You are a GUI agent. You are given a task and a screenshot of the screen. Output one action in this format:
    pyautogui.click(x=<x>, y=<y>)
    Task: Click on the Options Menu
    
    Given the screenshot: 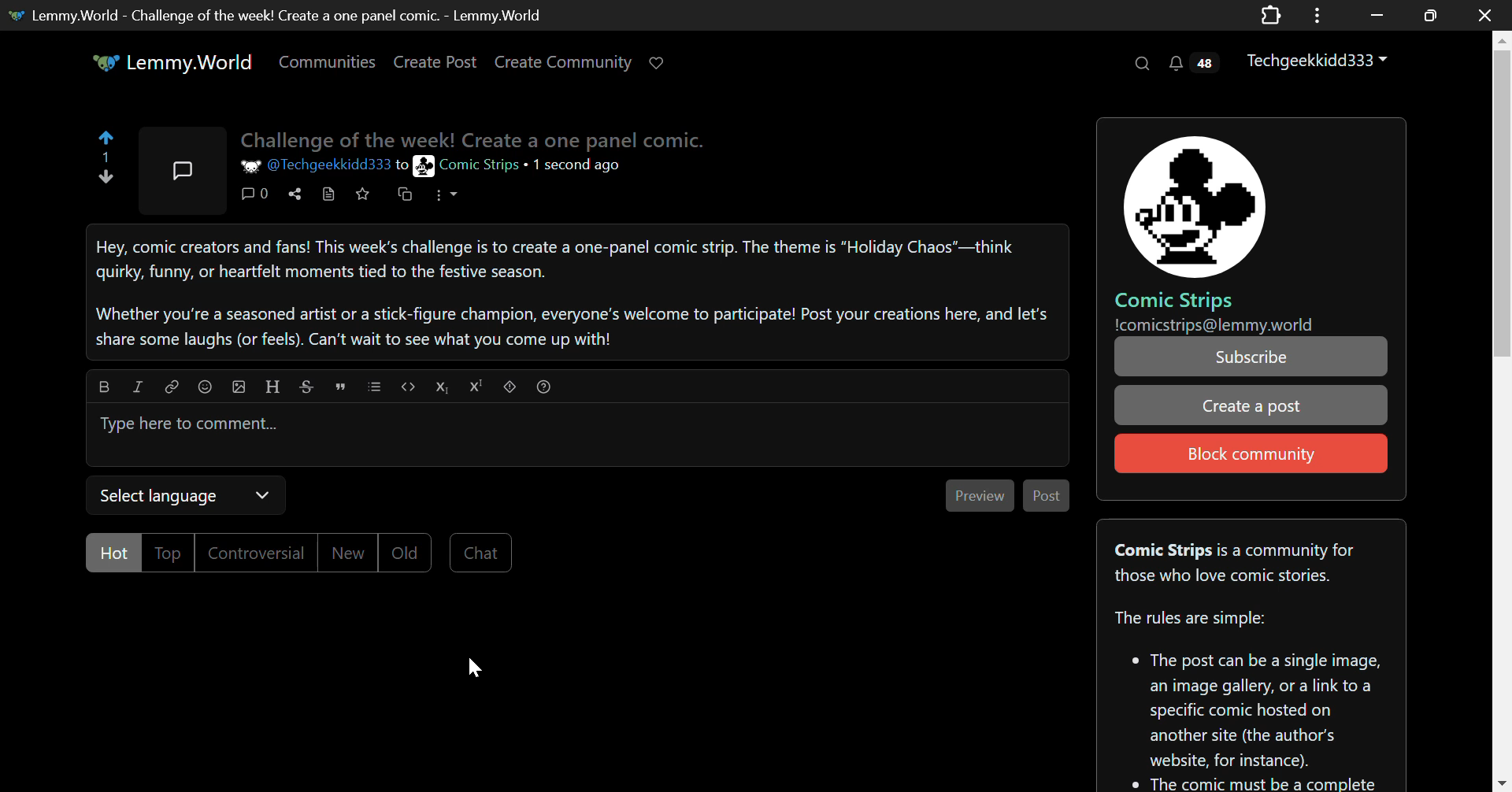 What is the action you would take?
    pyautogui.click(x=1314, y=14)
    